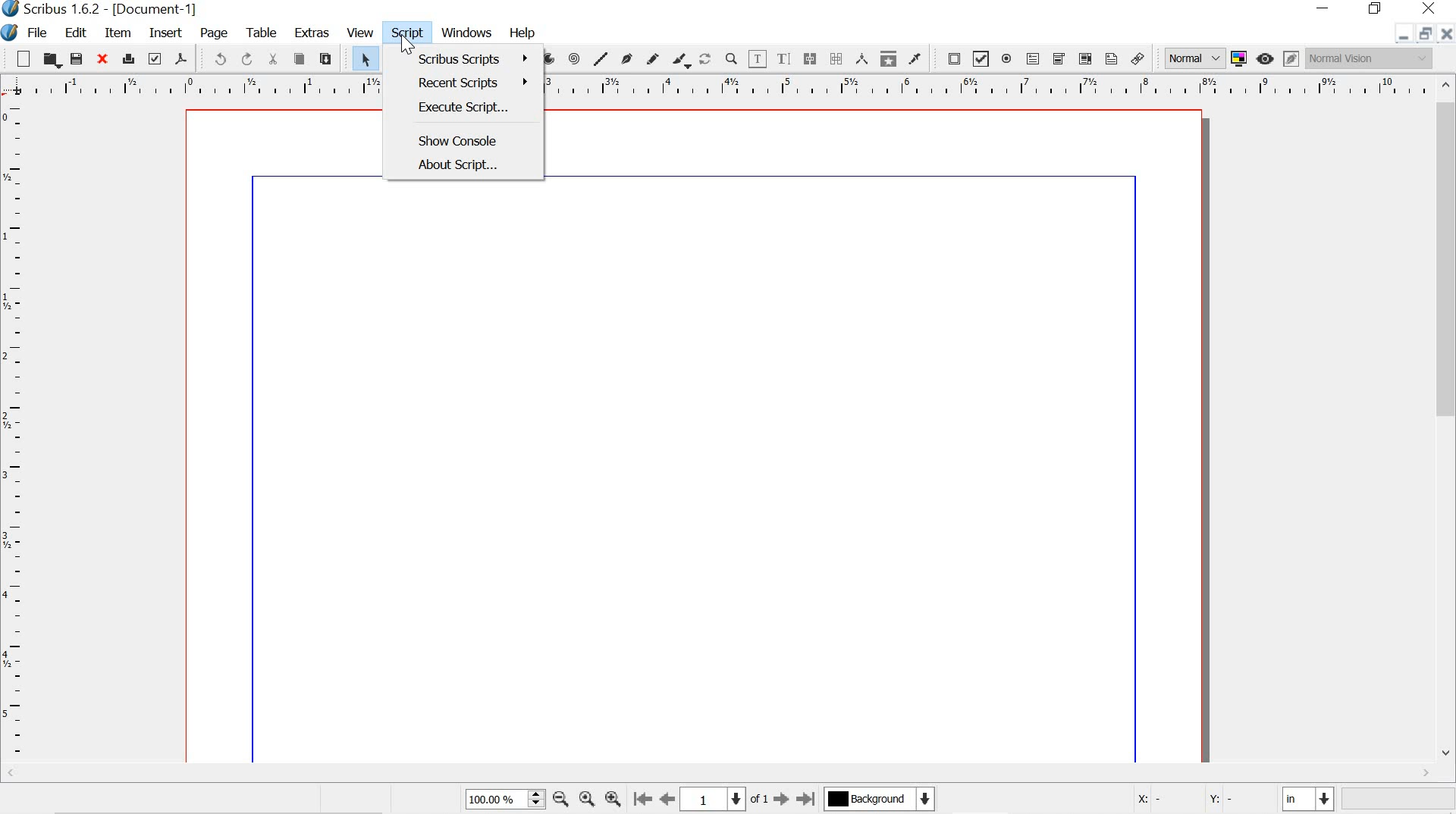 The height and width of the screenshot is (814, 1456). I want to click on restore down, so click(1427, 33).